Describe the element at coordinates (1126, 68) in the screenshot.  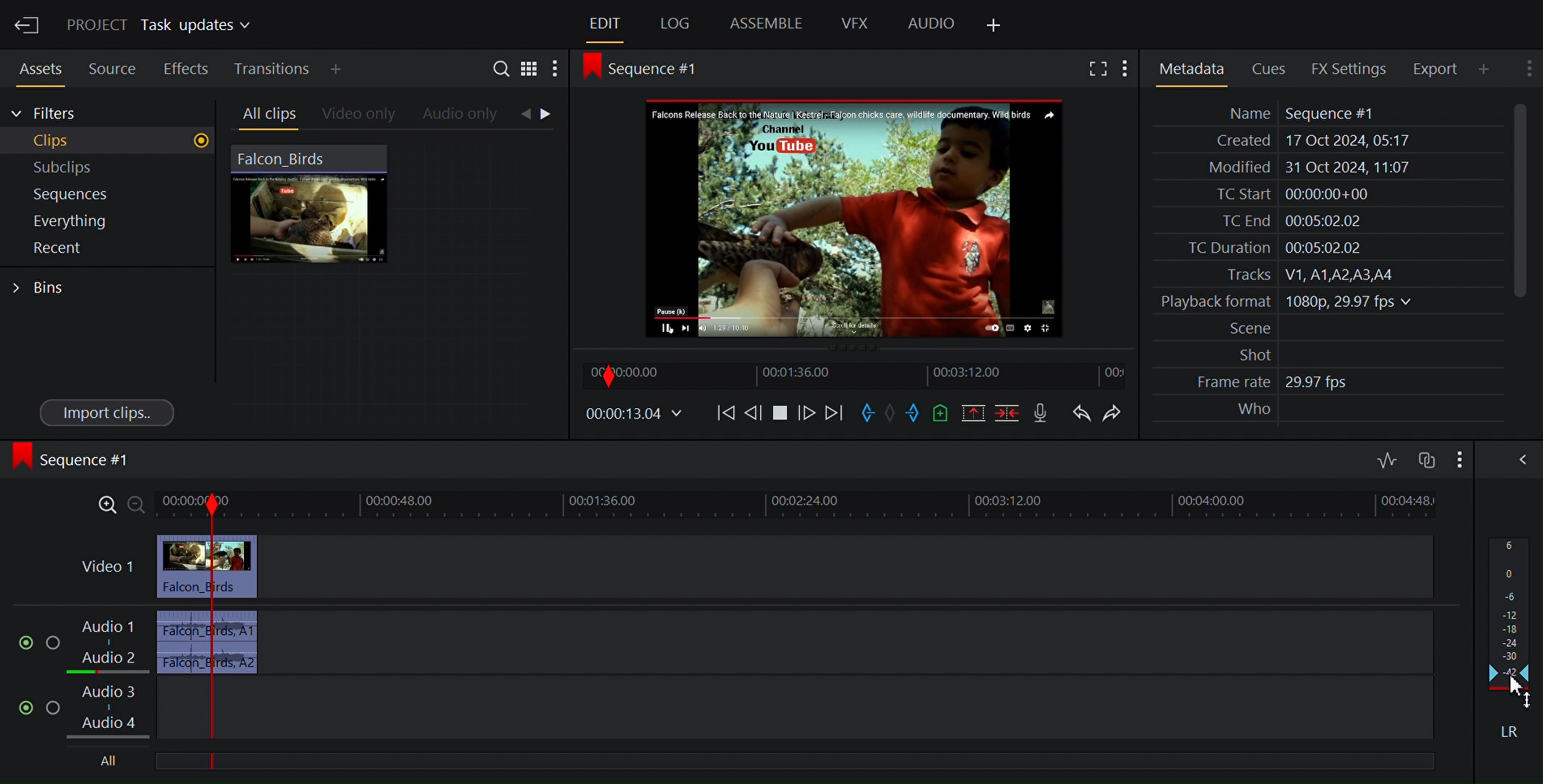
I see `Show settings menu` at that location.